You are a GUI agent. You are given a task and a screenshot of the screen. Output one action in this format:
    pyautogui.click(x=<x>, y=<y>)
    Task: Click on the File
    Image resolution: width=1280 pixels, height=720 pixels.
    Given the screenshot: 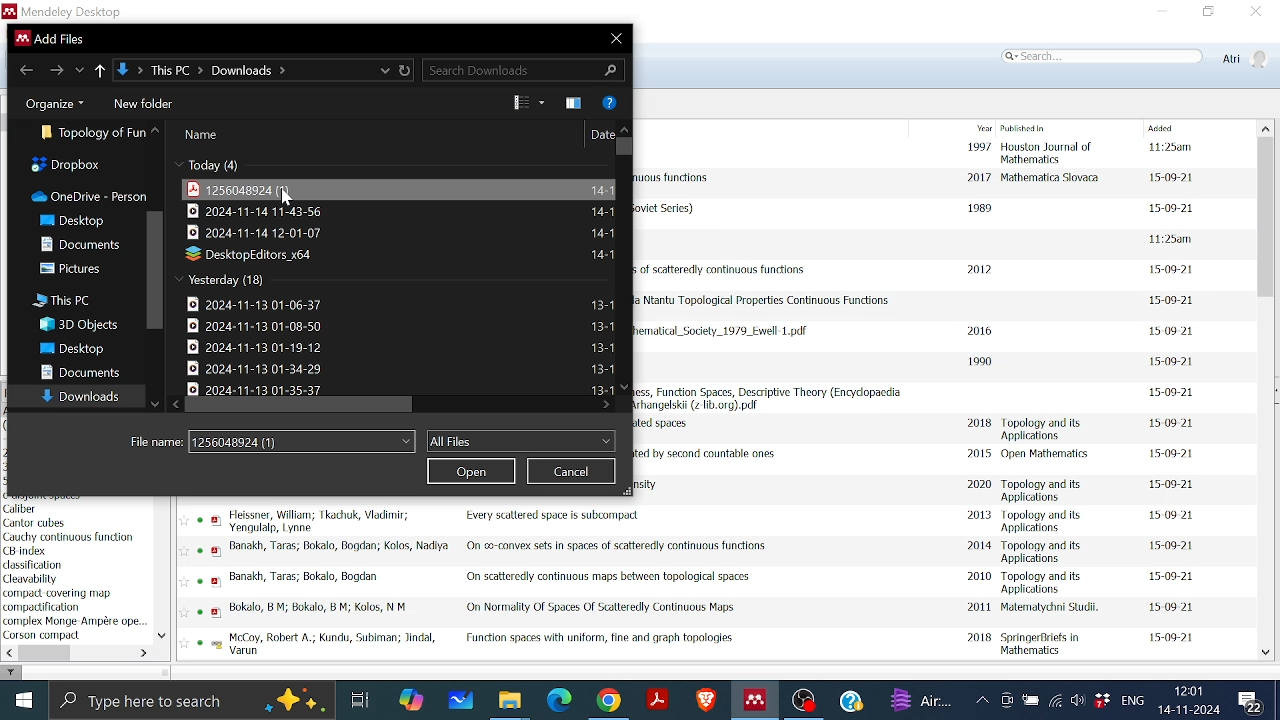 What is the action you would take?
    pyautogui.click(x=601, y=214)
    